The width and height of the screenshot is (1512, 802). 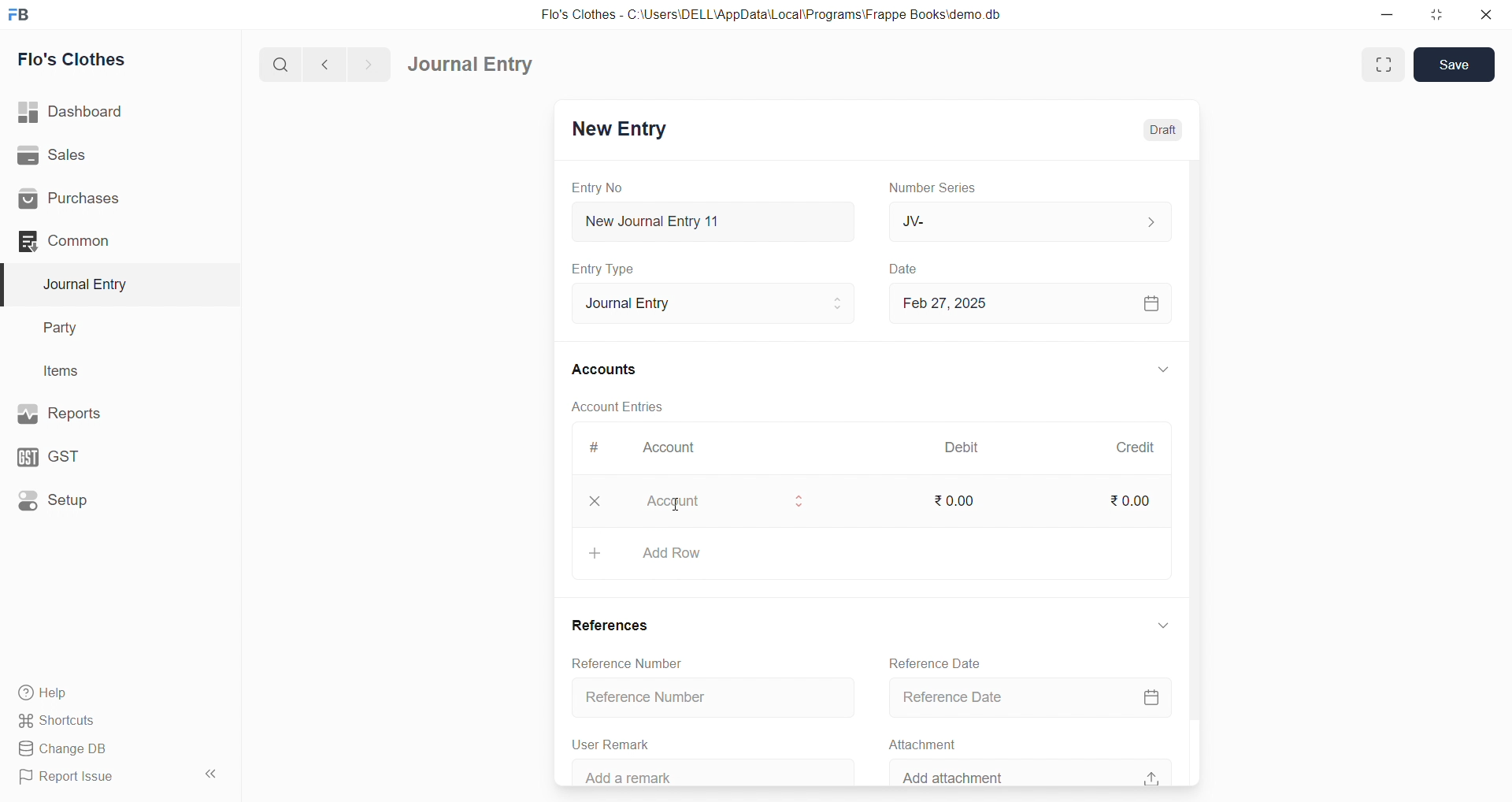 What do you see at coordinates (873, 554) in the screenshot?
I see `+ Add Row` at bounding box center [873, 554].